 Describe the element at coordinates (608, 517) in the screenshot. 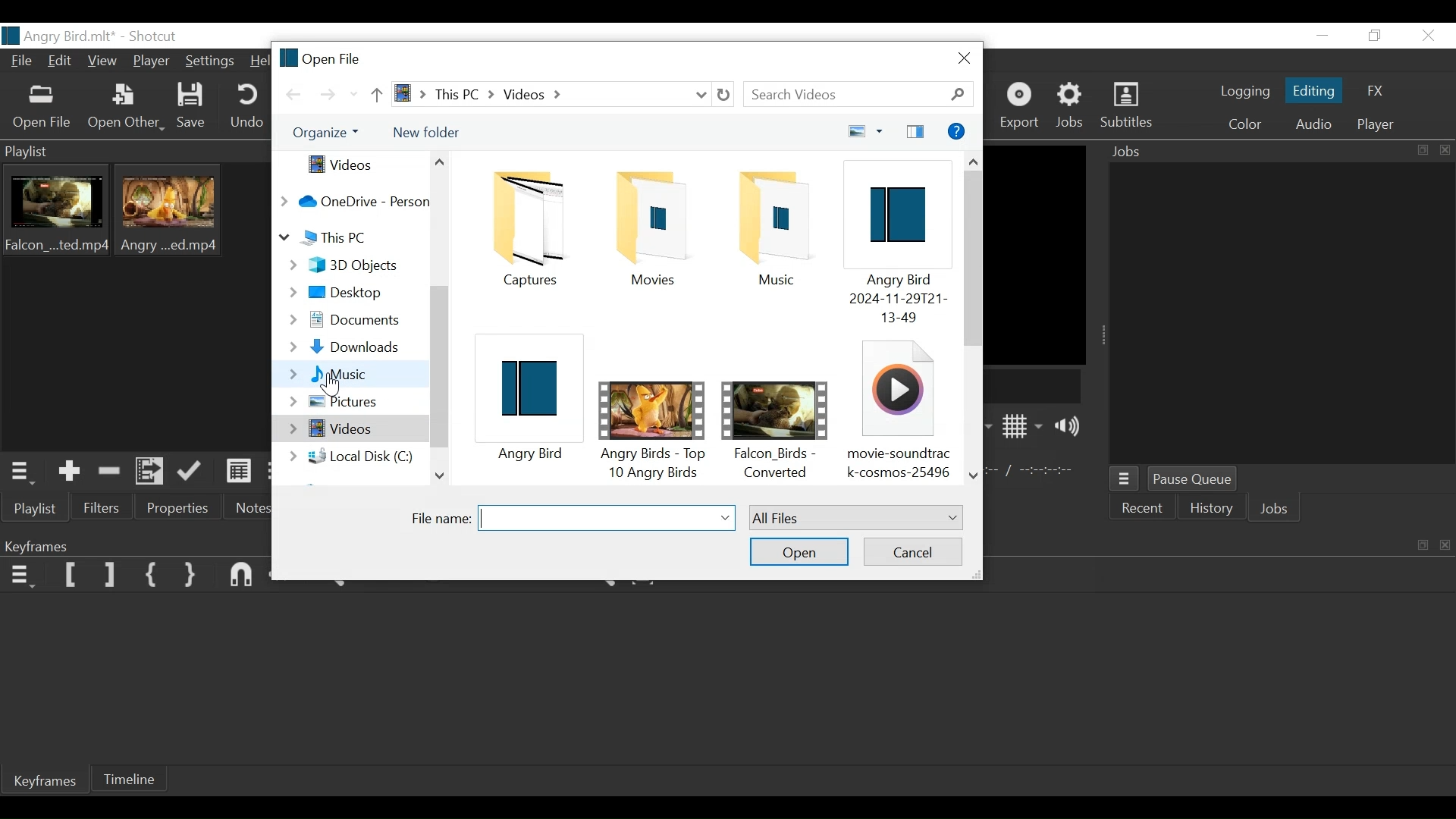

I see `Selected File Name` at that location.